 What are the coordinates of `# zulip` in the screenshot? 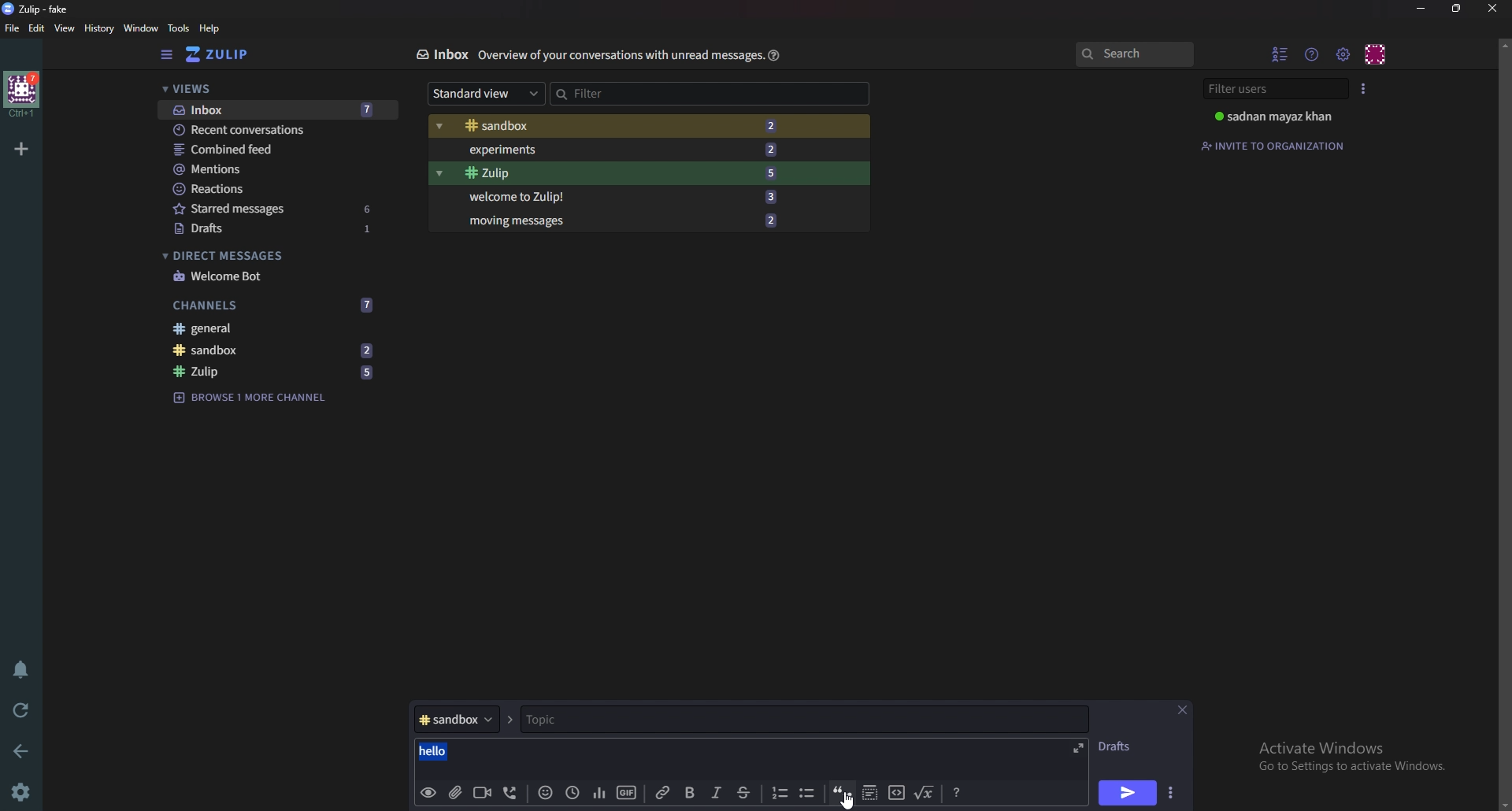 It's located at (228, 371).